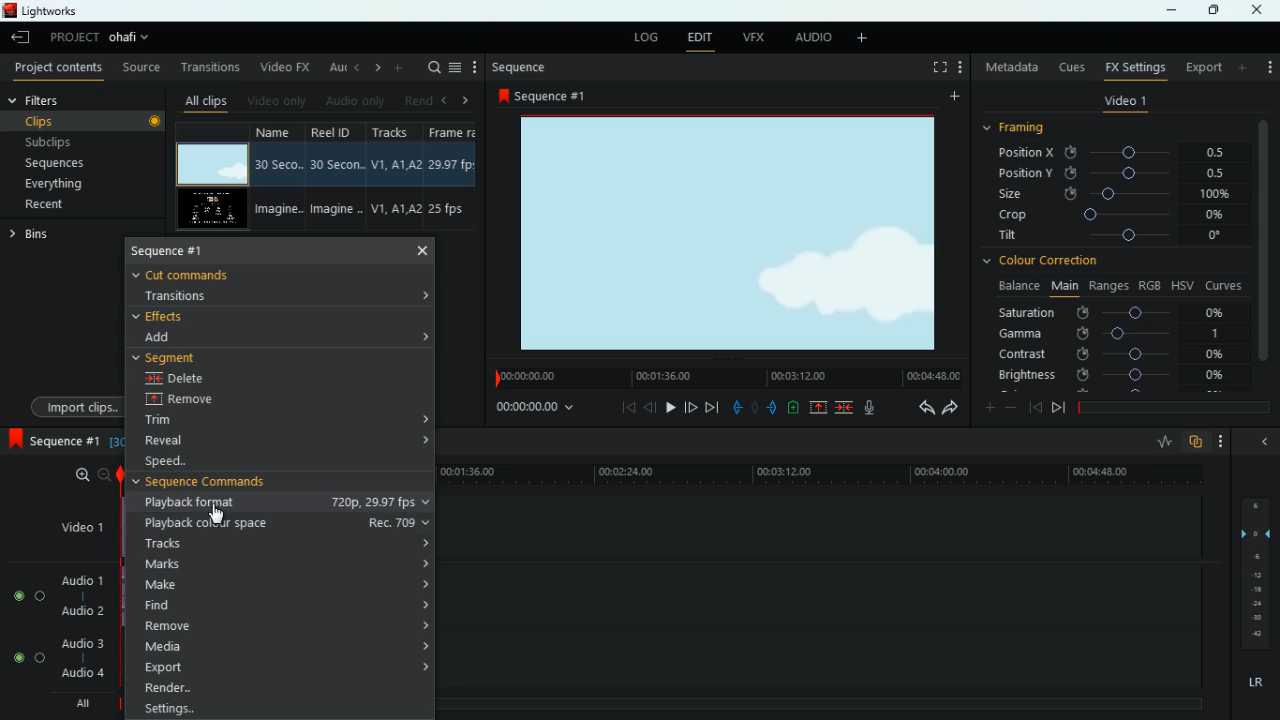 Image resolution: width=1280 pixels, height=720 pixels. I want to click on video, so click(213, 163).